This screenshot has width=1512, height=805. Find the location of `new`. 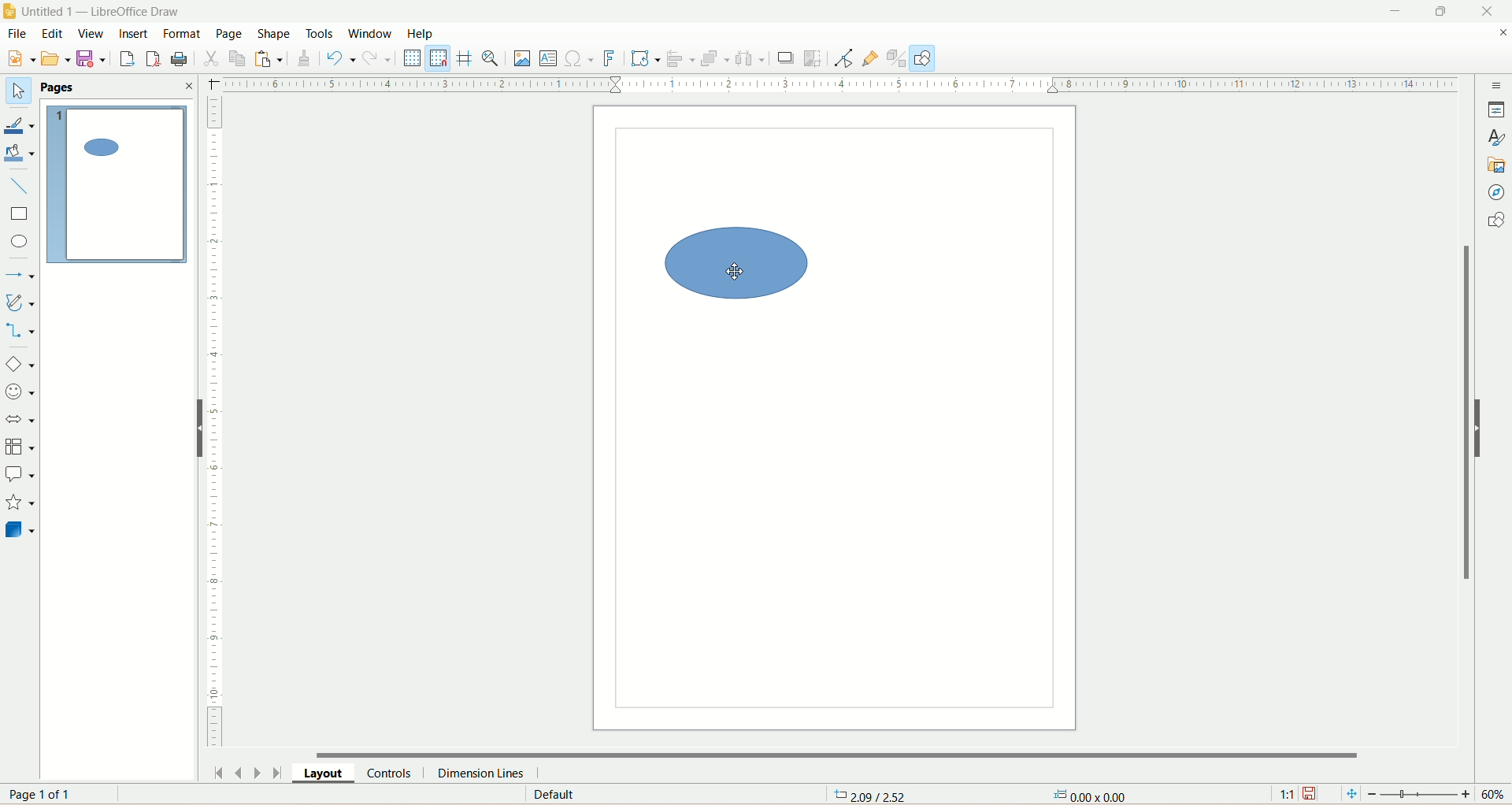

new is located at coordinates (23, 59).